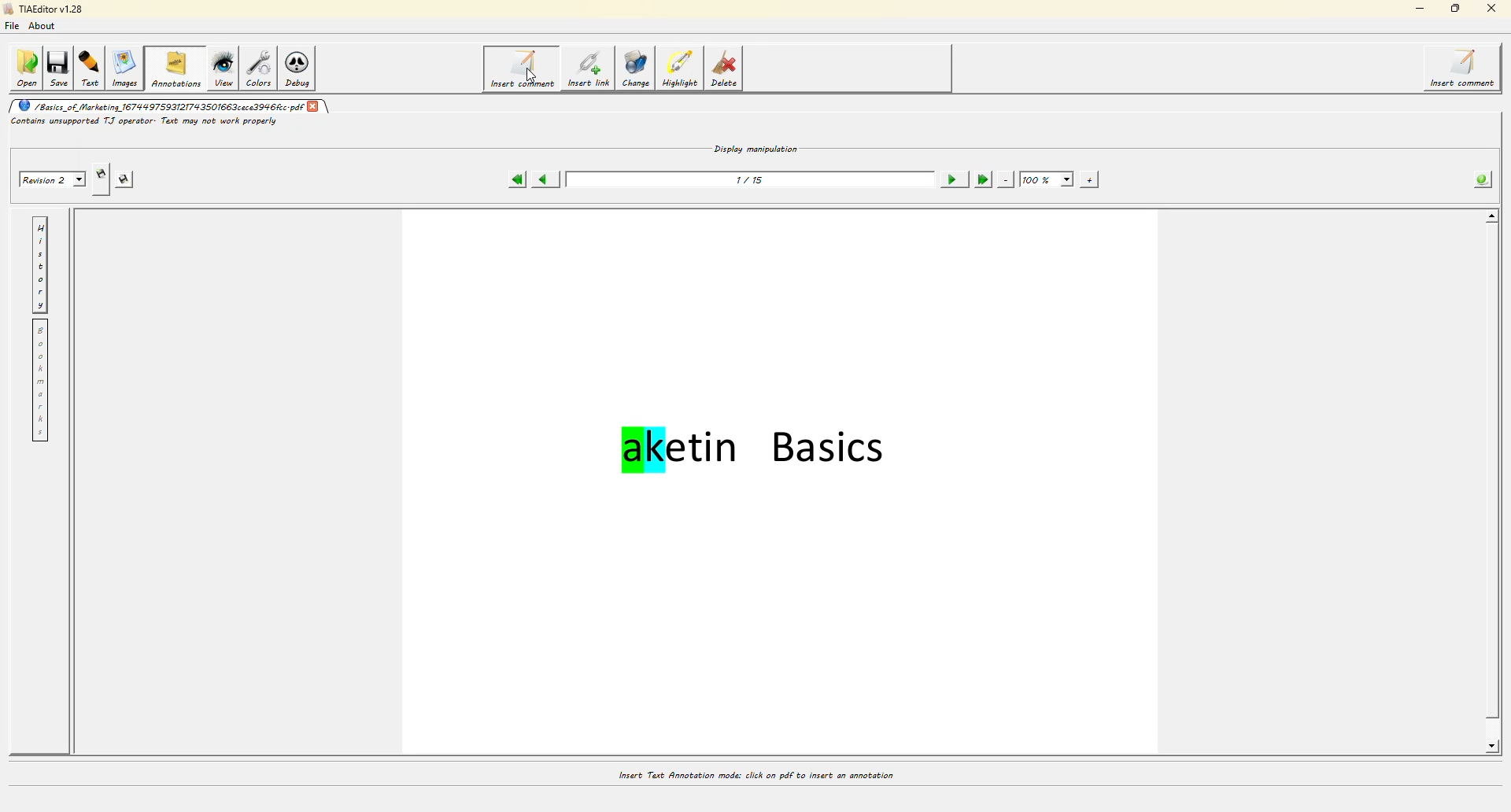 Image resolution: width=1511 pixels, height=812 pixels. What do you see at coordinates (981, 179) in the screenshot?
I see `last page` at bounding box center [981, 179].